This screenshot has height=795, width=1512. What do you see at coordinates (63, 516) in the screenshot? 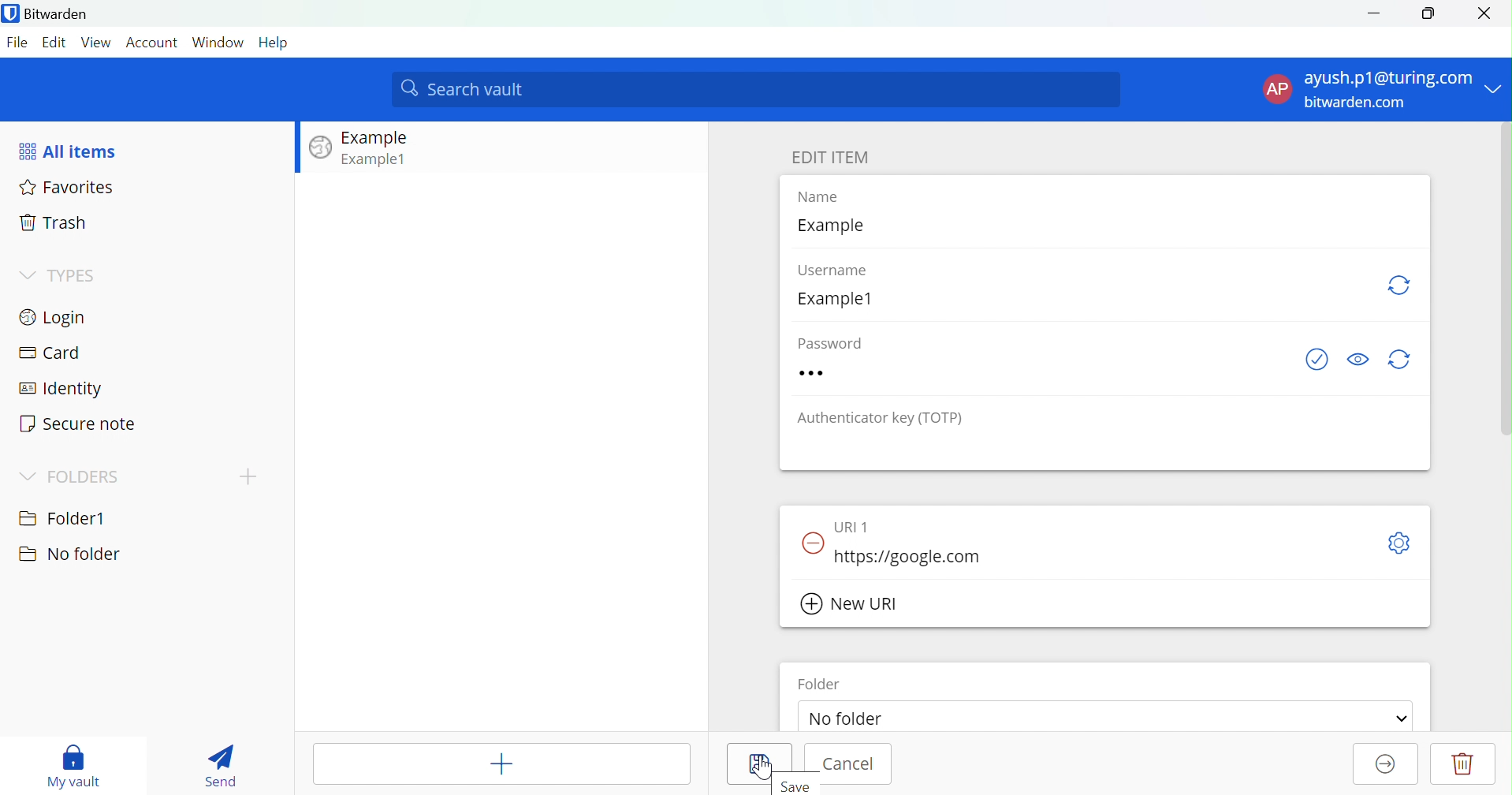
I see `Folder1` at bounding box center [63, 516].